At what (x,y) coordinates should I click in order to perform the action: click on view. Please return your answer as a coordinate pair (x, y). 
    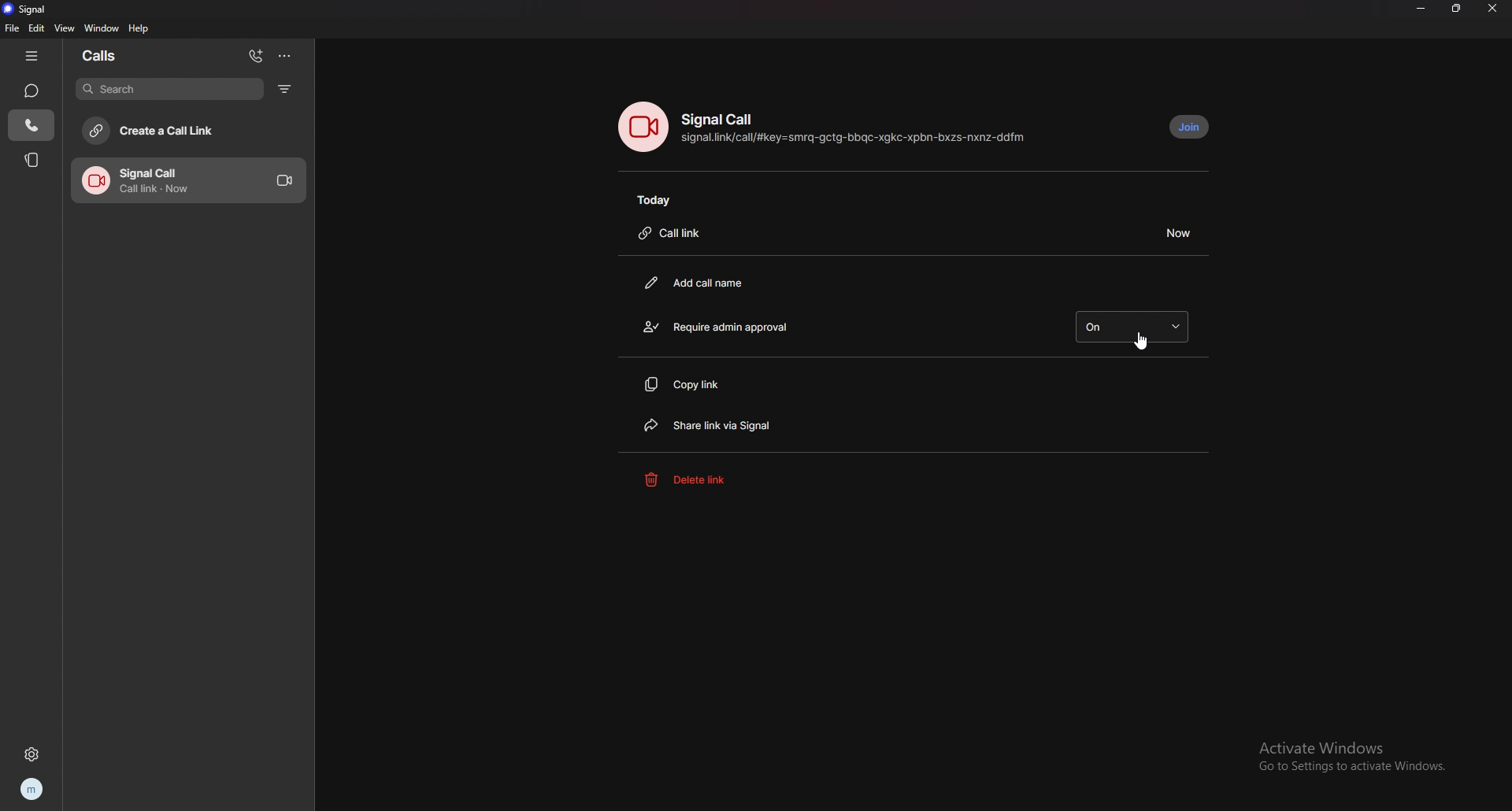
    Looking at the image, I should click on (64, 28).